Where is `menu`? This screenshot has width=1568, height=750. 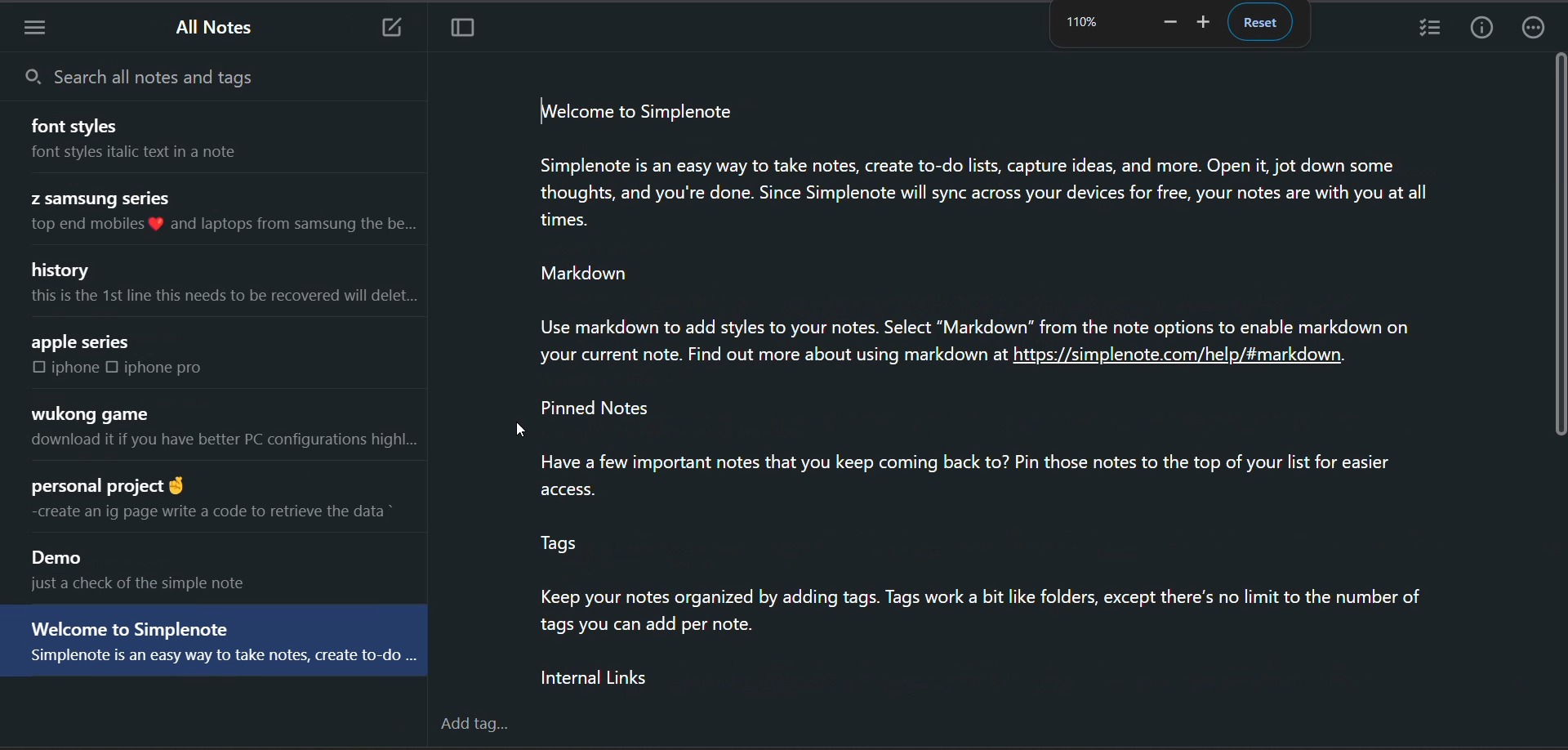
menu is located at coordinates (43, 25).